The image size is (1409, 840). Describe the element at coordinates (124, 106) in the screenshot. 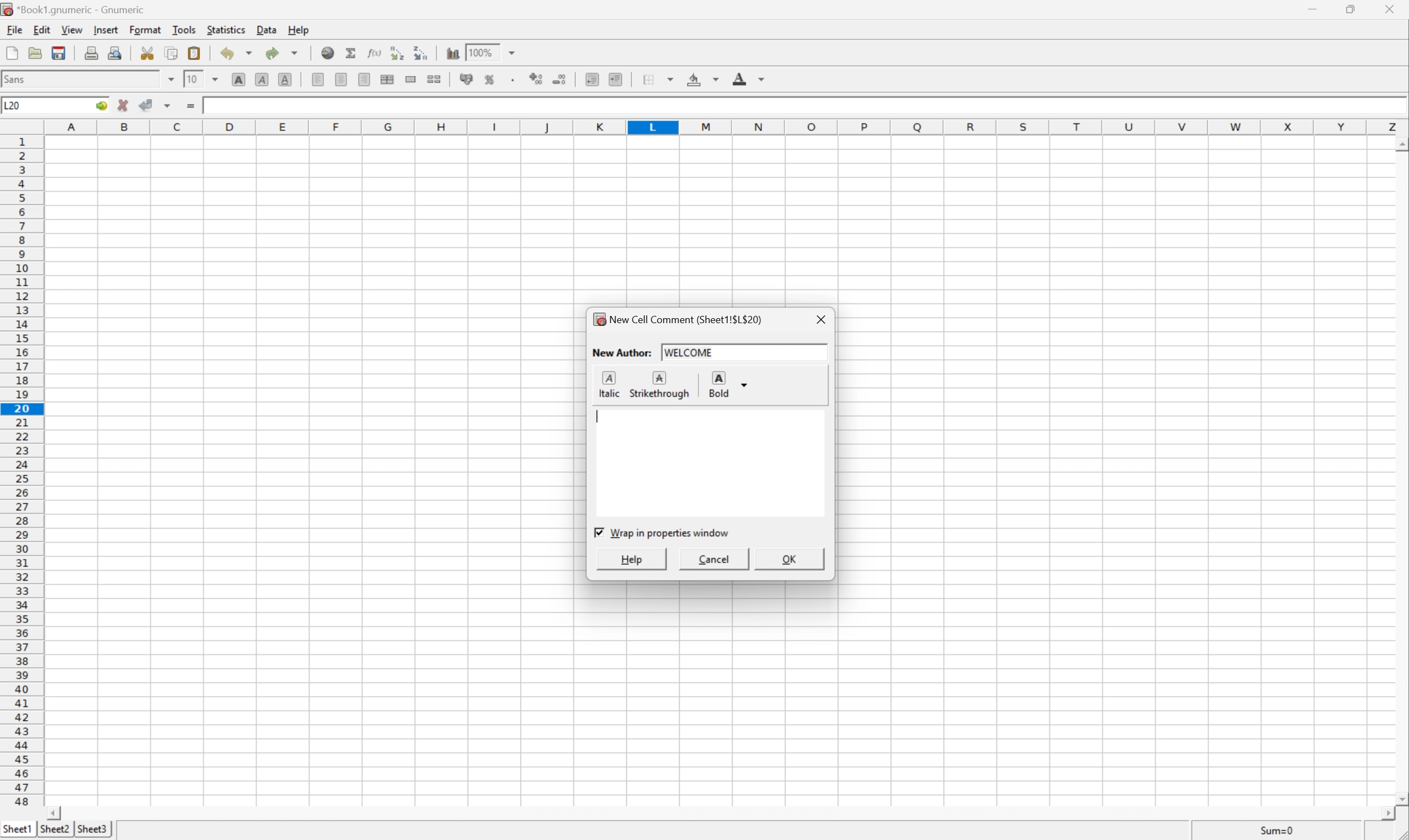

I see `Cancel changes` at that location.